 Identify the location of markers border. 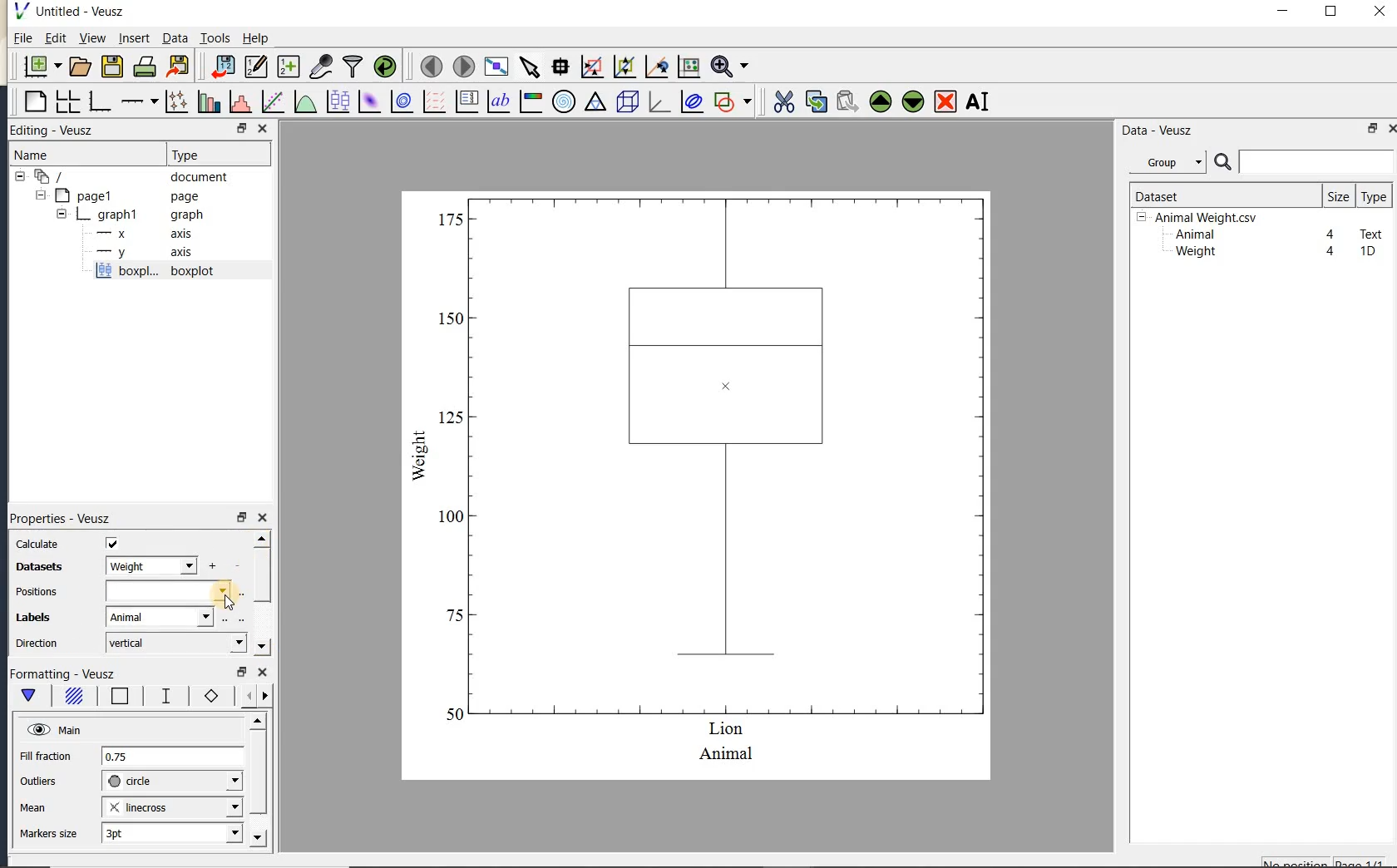
(208, 696).